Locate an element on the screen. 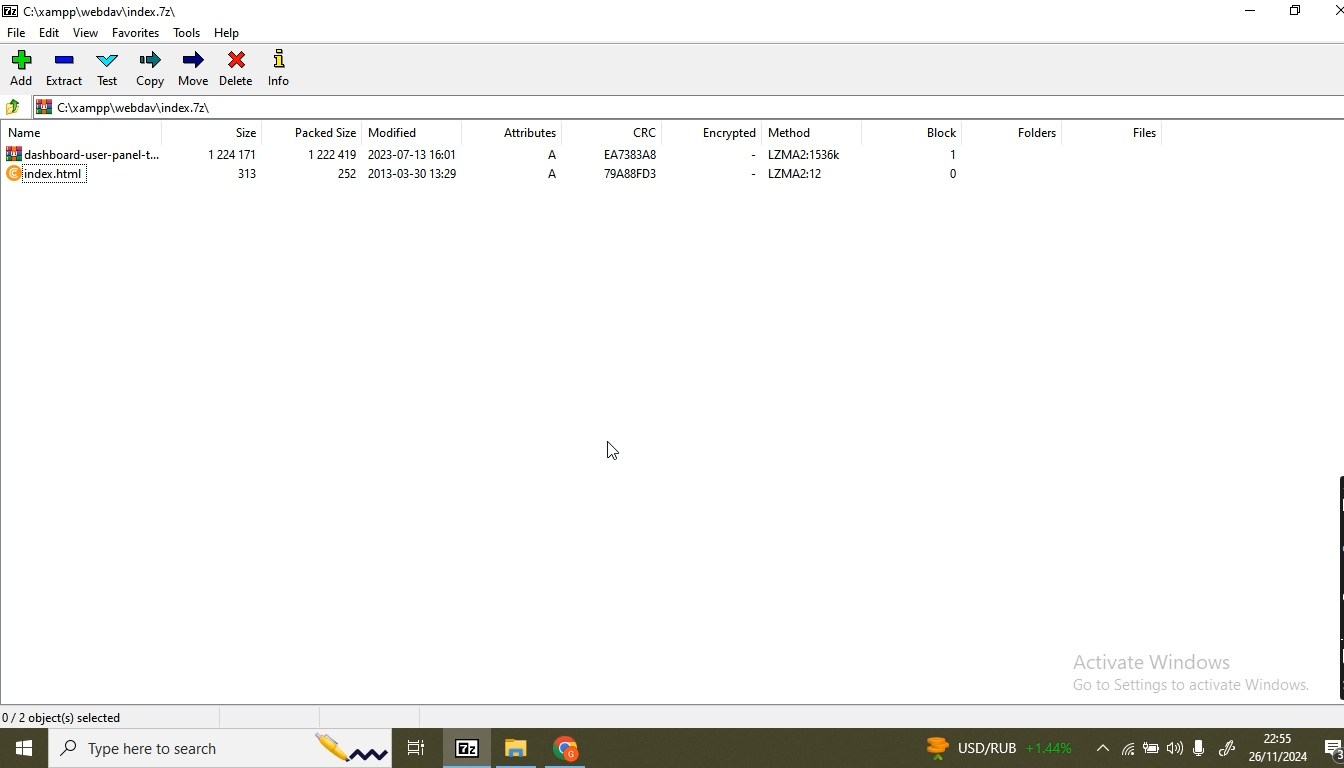 This screenshot has width=1344, height=768. 7-Zip  is located at coordinates (469, 747).